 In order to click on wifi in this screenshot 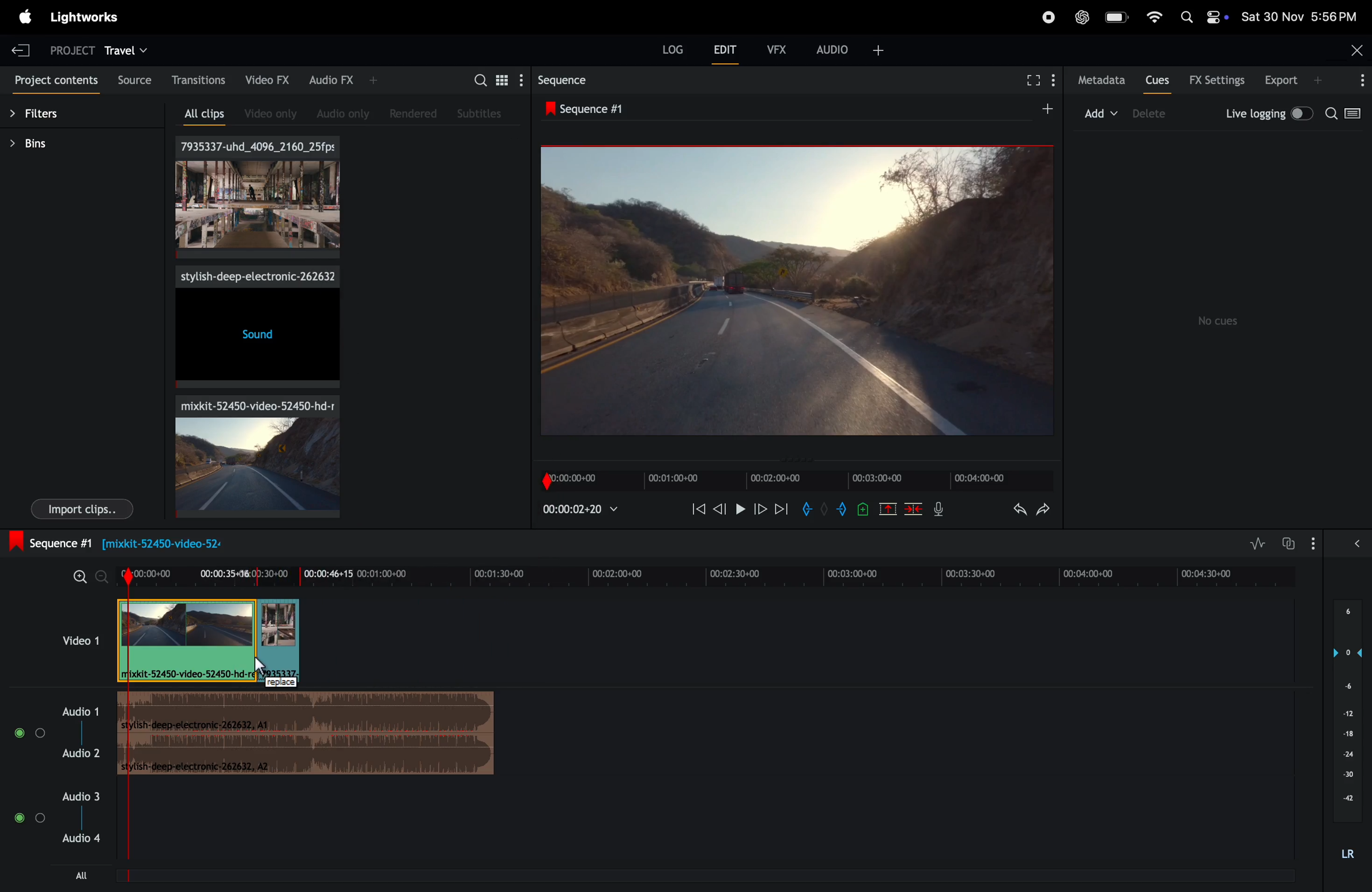, I will do `click(1152, 16)`.